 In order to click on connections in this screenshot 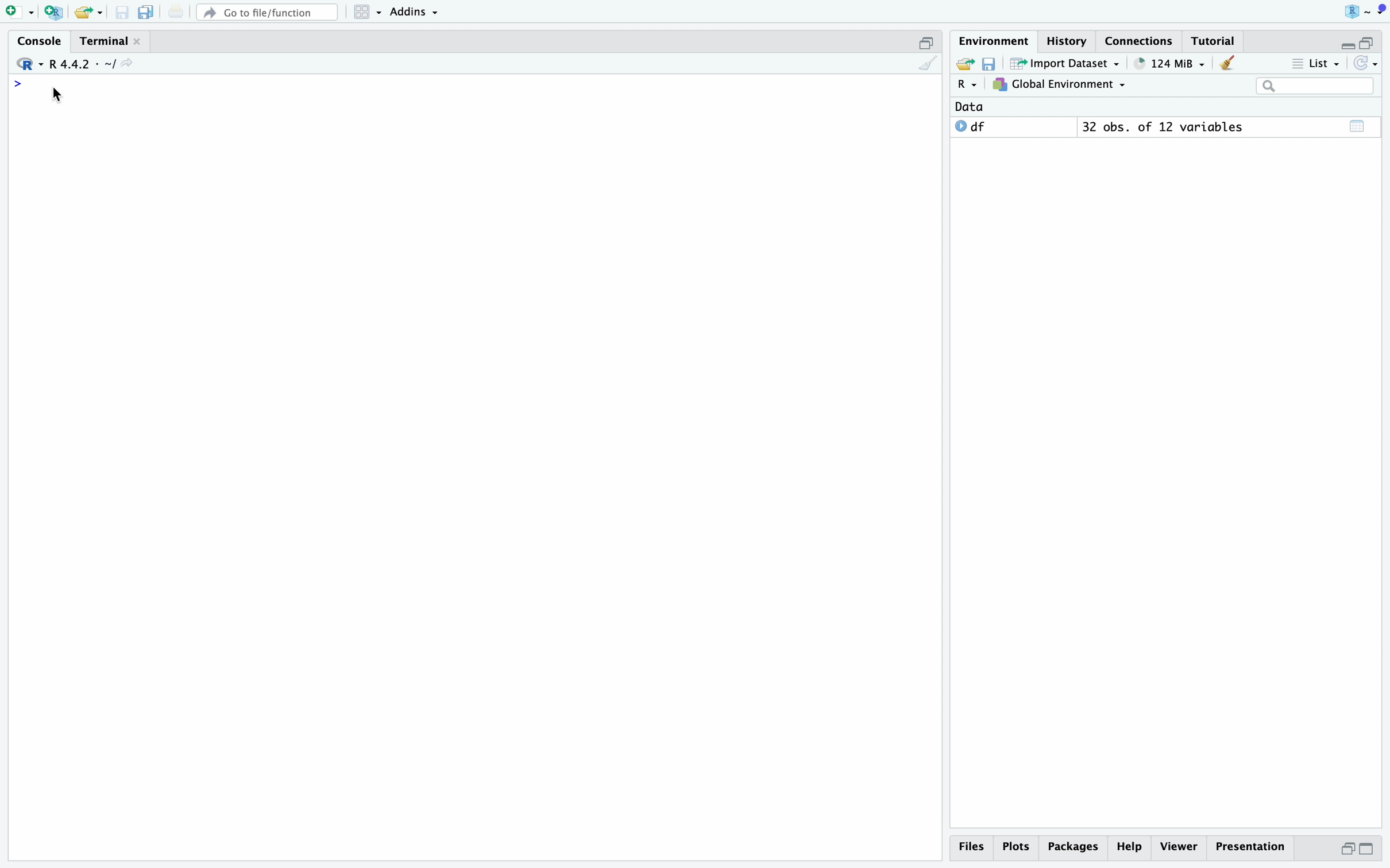, I will do `click(1140, 41)`.